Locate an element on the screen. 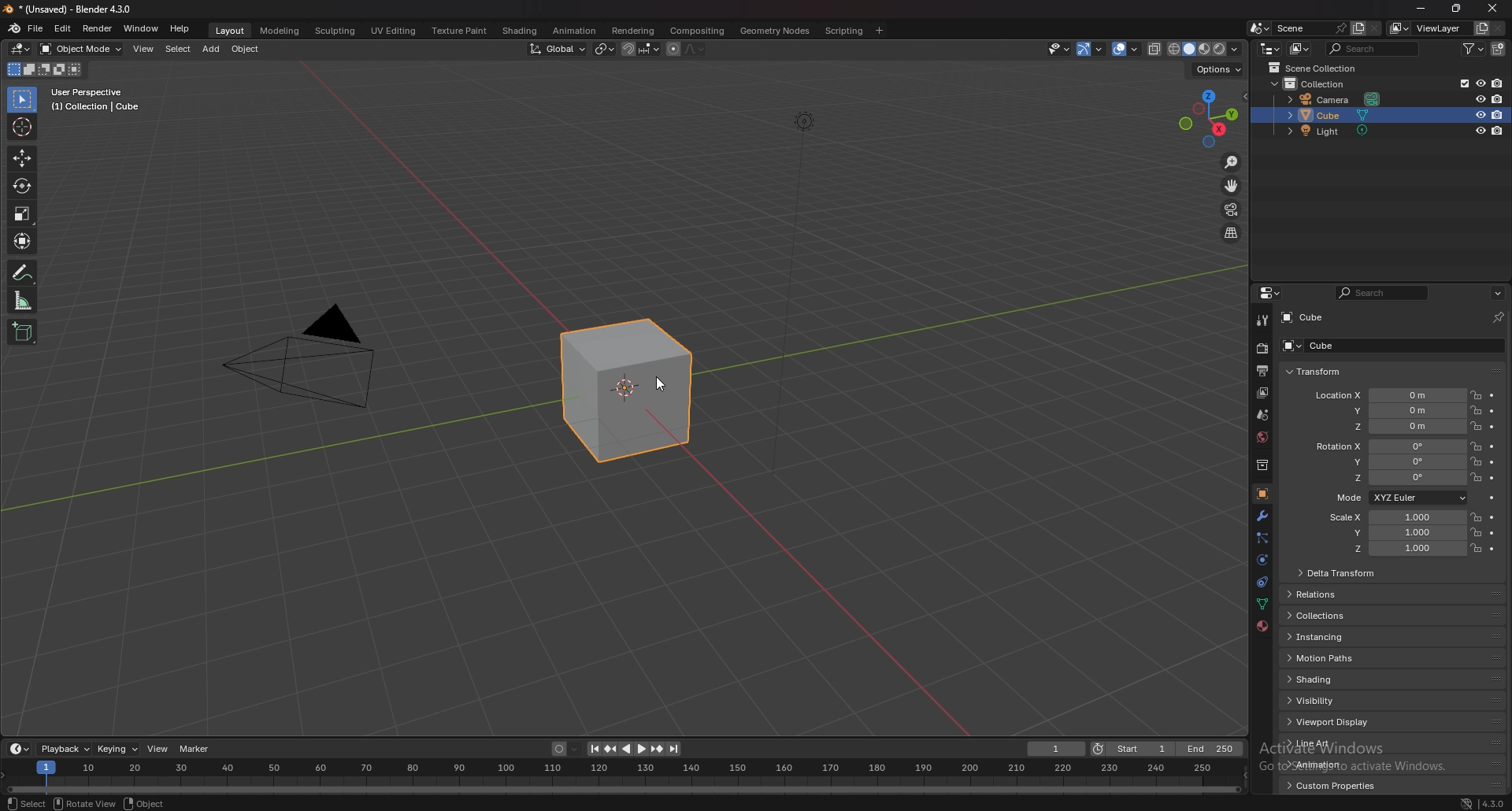 The height and width of the screenshot is (811, 1512). minimize is located at coordinates (1421, 7).